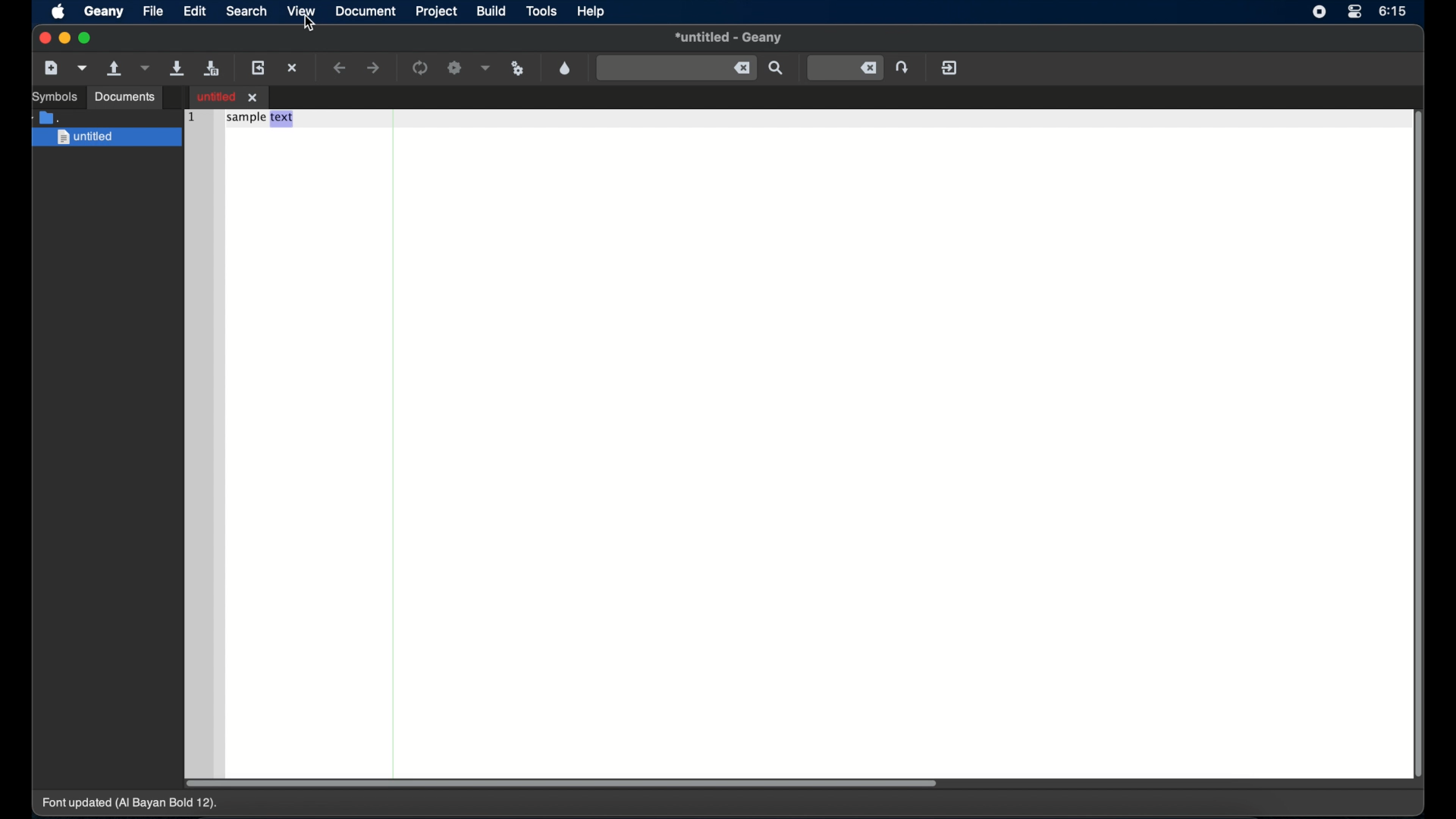  I want to click on untitled, so click(729, 39).